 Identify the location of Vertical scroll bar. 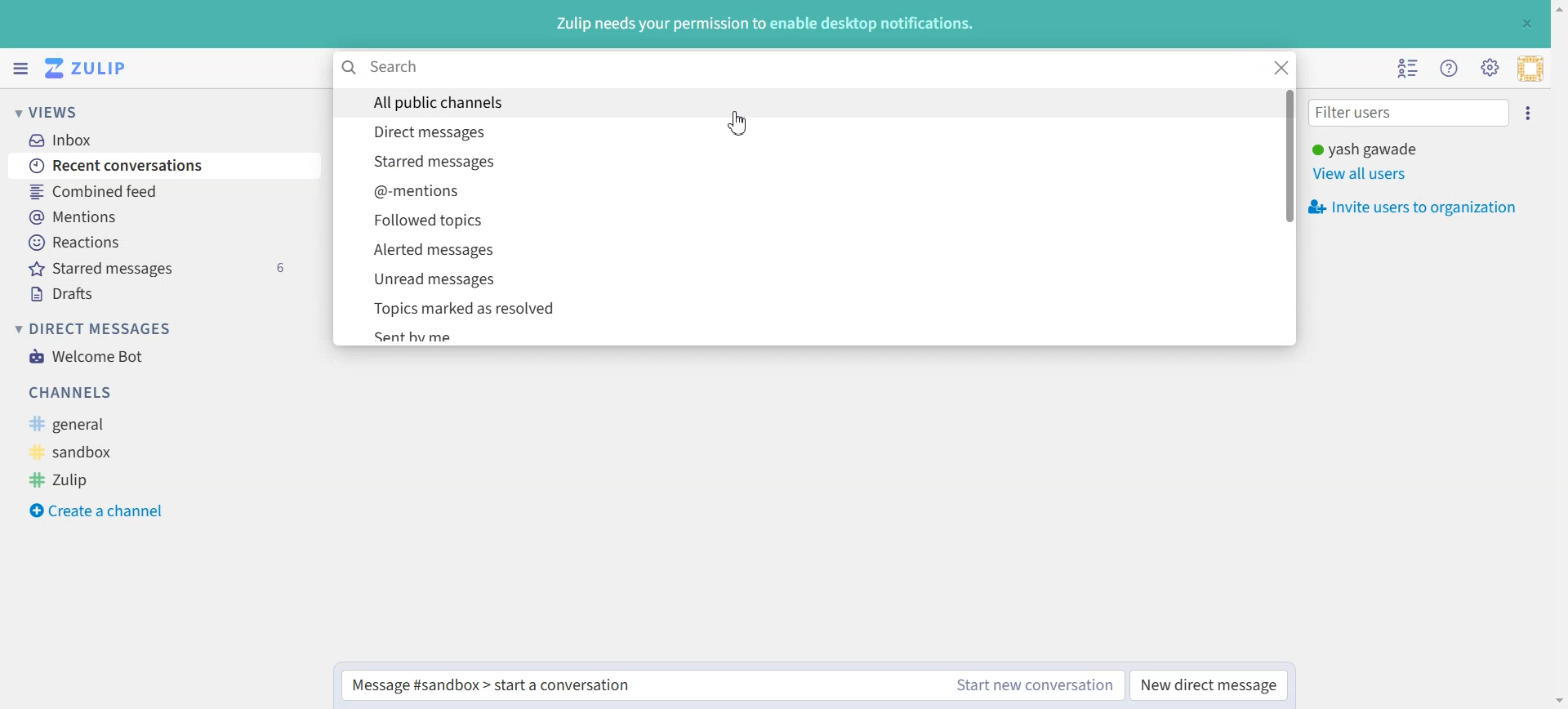
(1558, 354).